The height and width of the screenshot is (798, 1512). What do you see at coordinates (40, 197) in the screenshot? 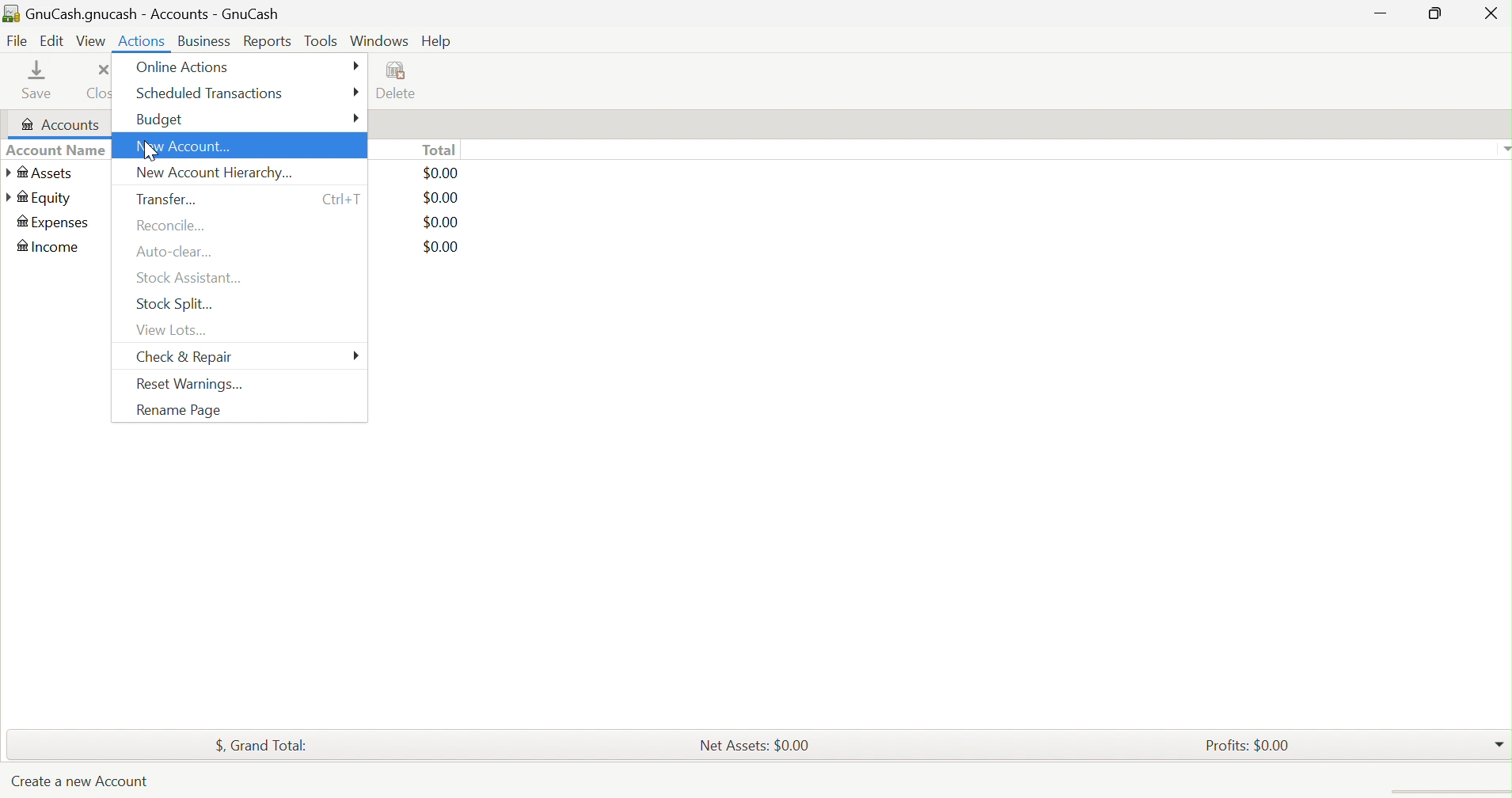
I see `Equity` at bounding box center [40, 197].